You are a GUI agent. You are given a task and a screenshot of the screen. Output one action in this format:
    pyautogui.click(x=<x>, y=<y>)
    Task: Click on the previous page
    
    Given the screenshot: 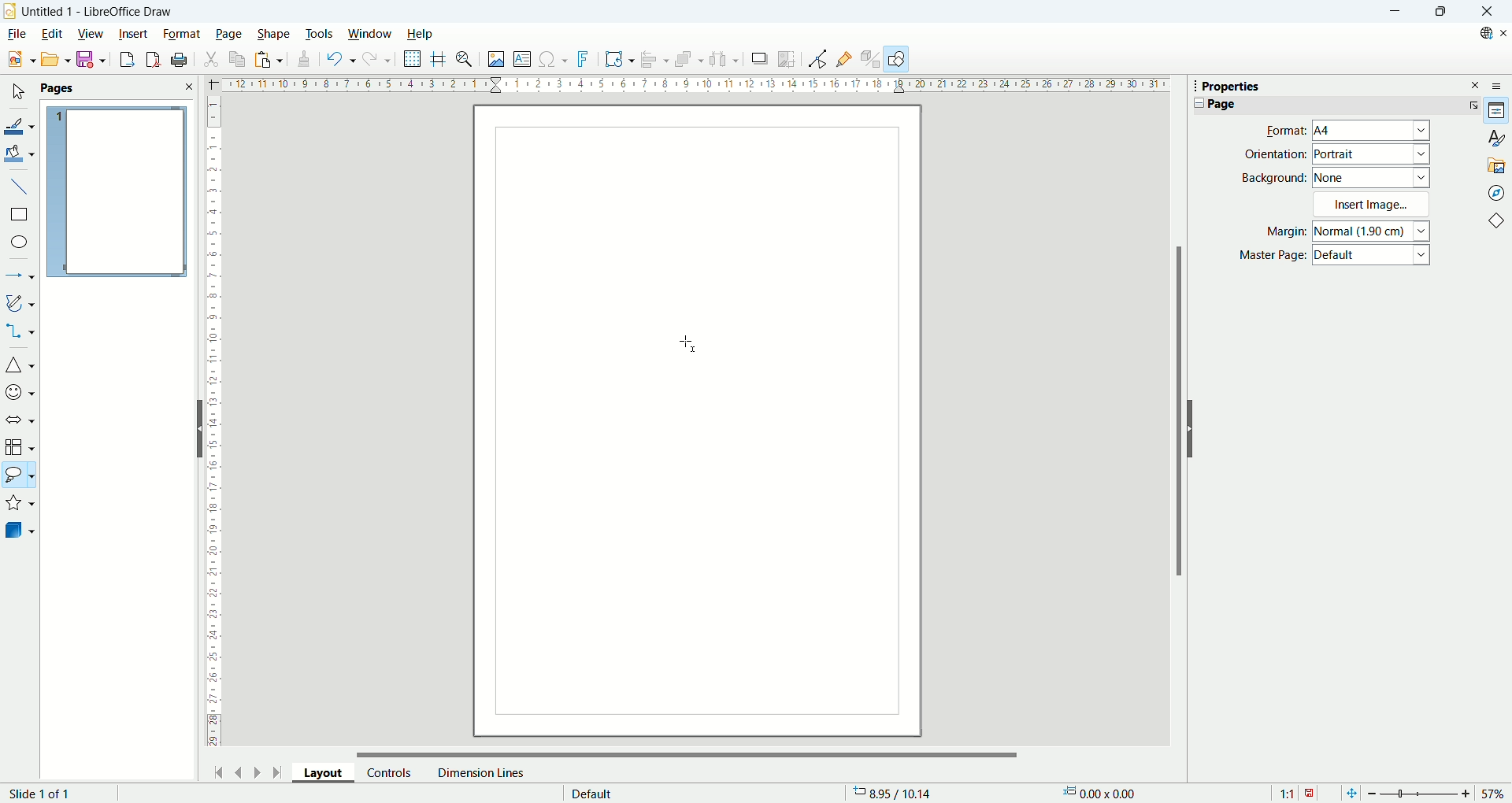 What is the action you would take?
    pyautogui.click(x=240, y=771)
    